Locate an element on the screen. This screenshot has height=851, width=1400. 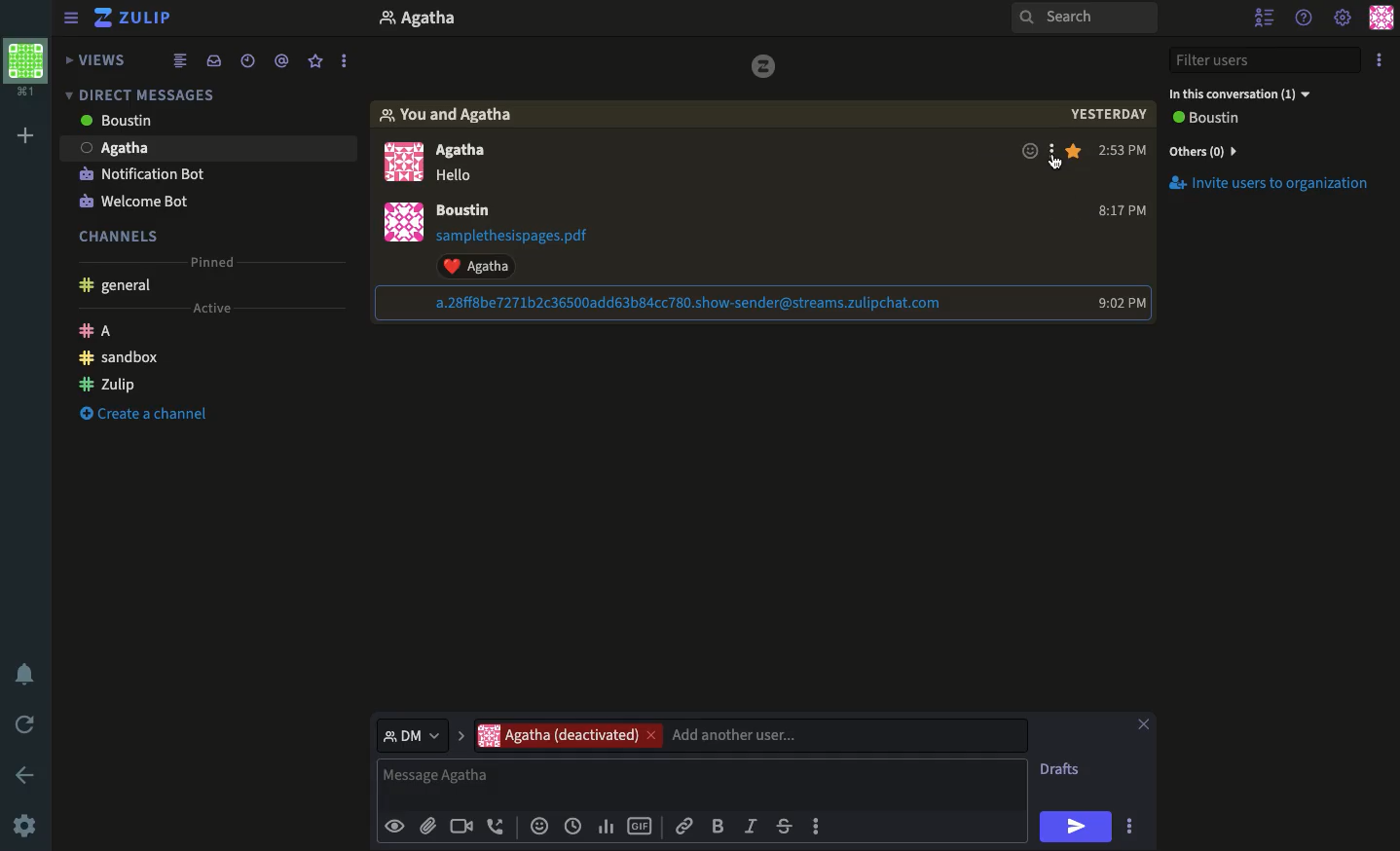
Channels is located at coordinates (126, 234).